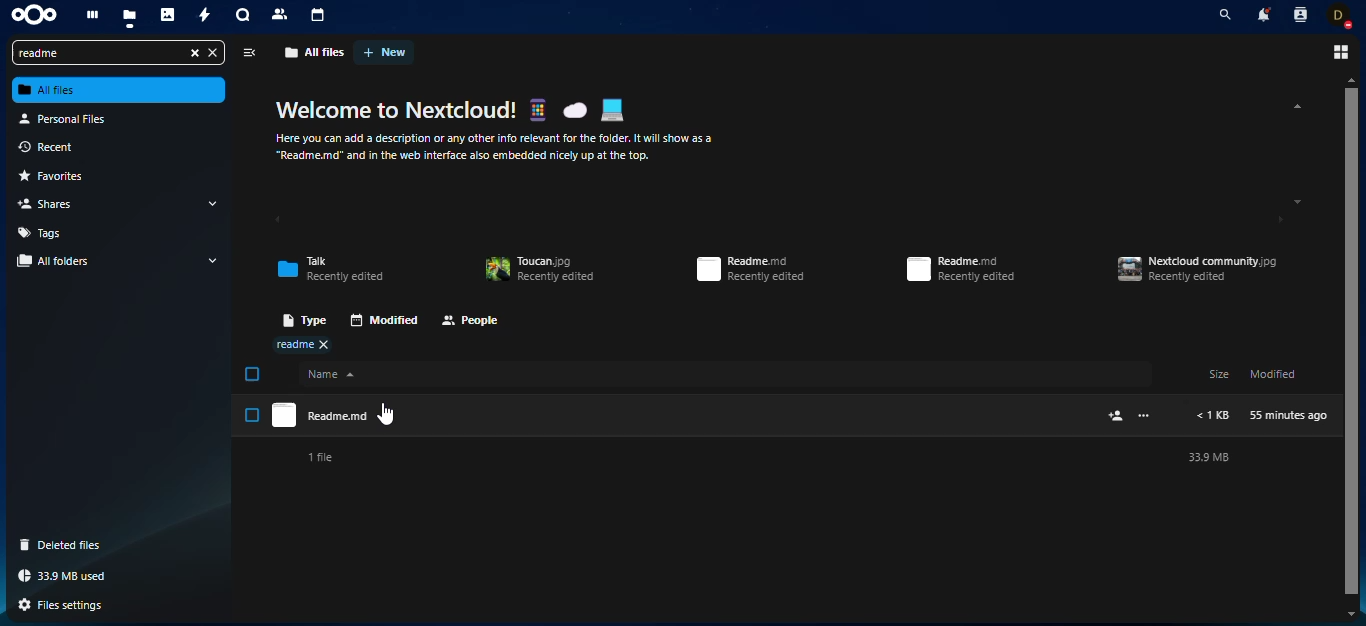  What do you see at coordinates (1117, 416) in the screenshot?
I see `Add` at bounding box center [1117, 416].